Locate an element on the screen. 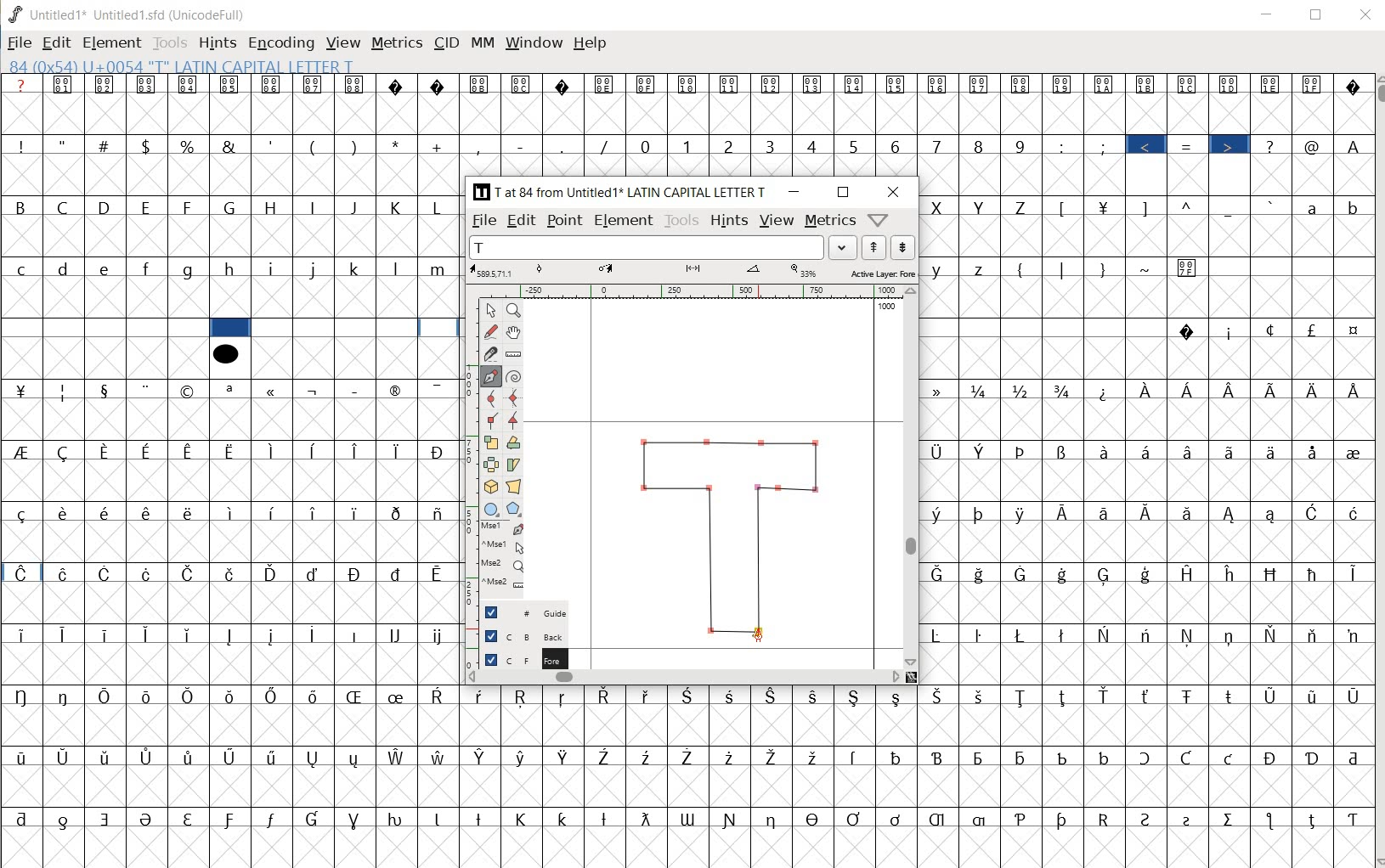  Symbol is located at coordinates (1063, 757).